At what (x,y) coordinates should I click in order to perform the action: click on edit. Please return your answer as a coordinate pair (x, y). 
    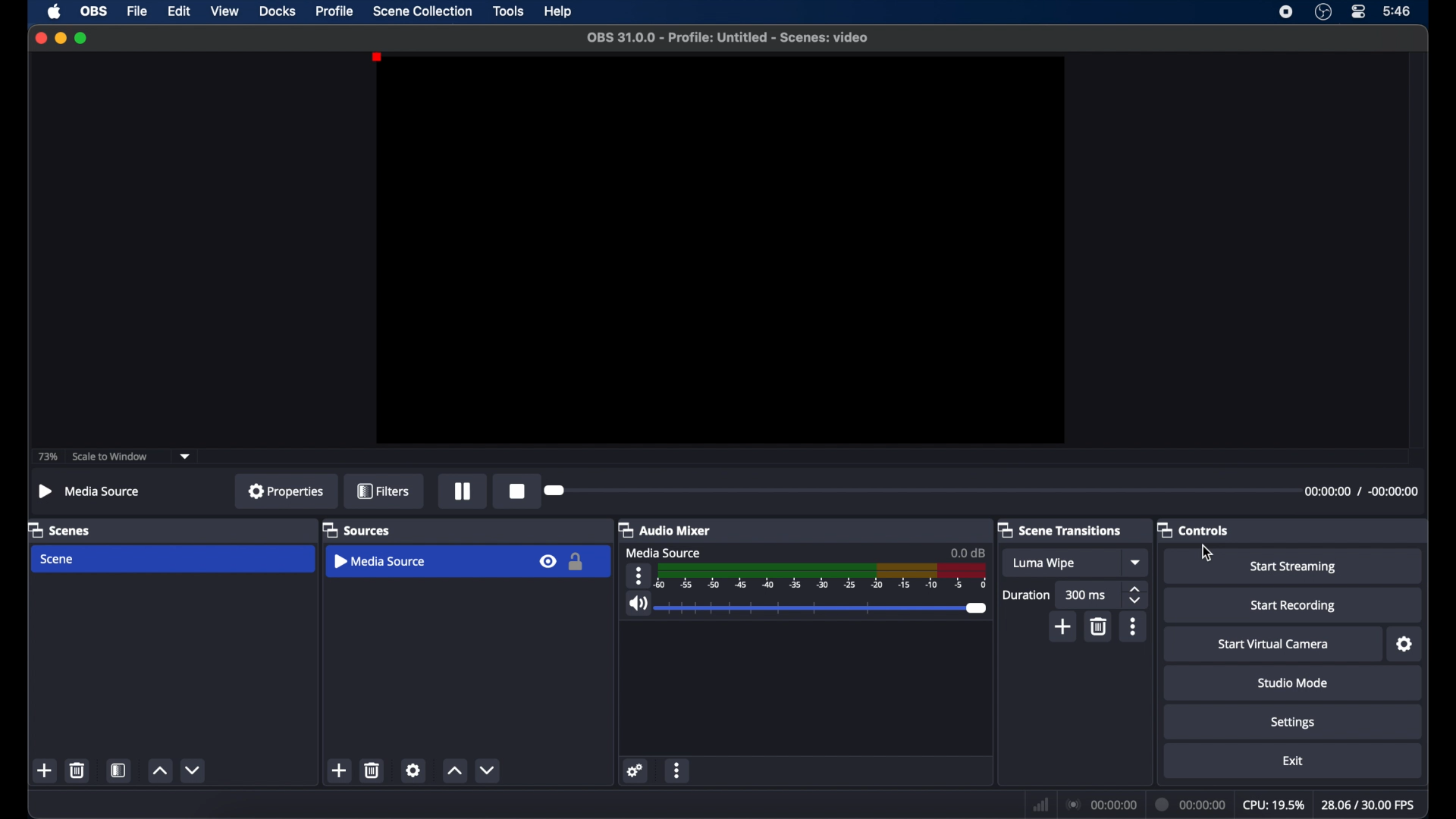
    Looking at the image, I should click on (178, 11).